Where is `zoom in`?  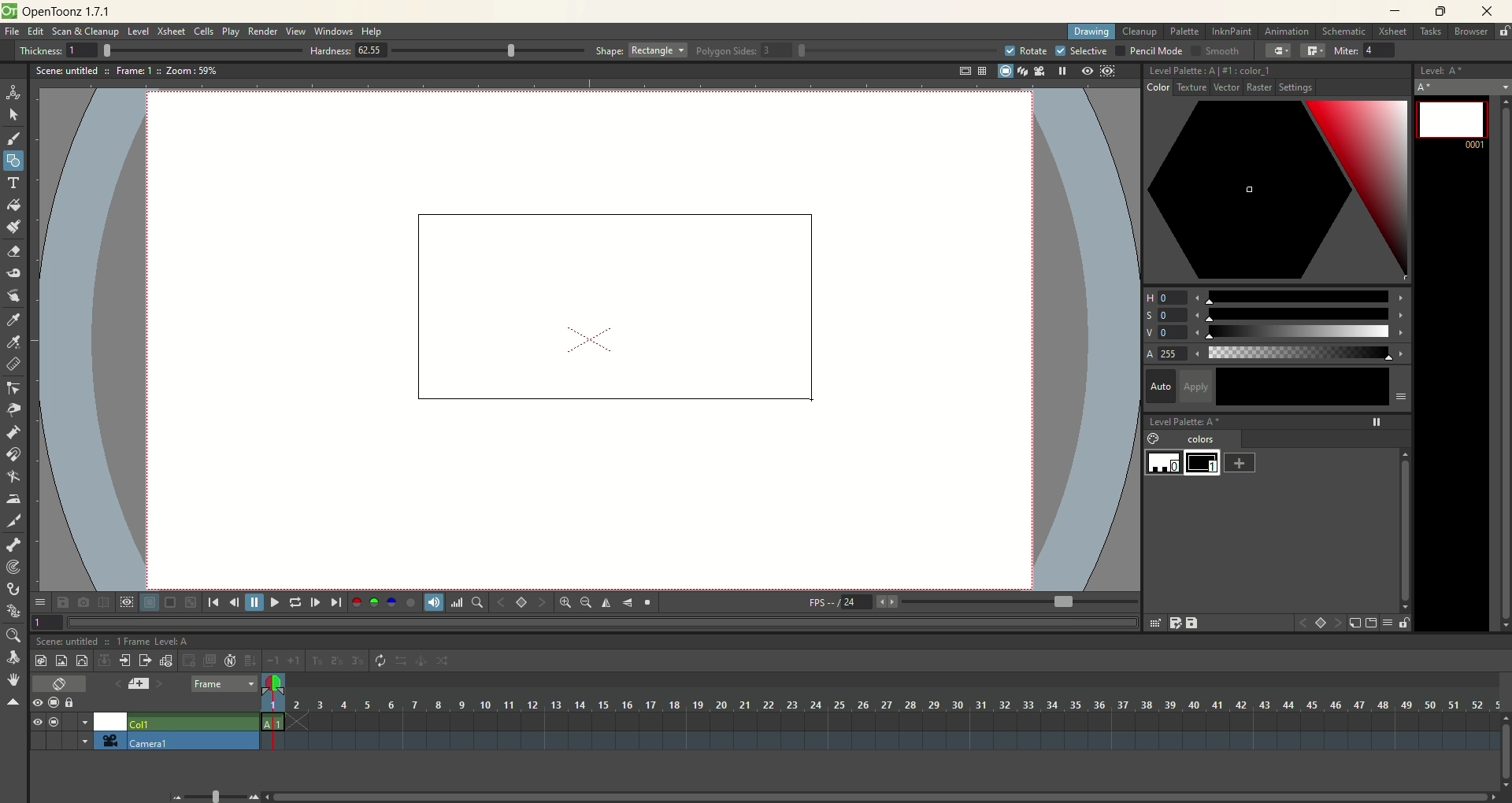
zoom in is located at coordinates (254, 797).